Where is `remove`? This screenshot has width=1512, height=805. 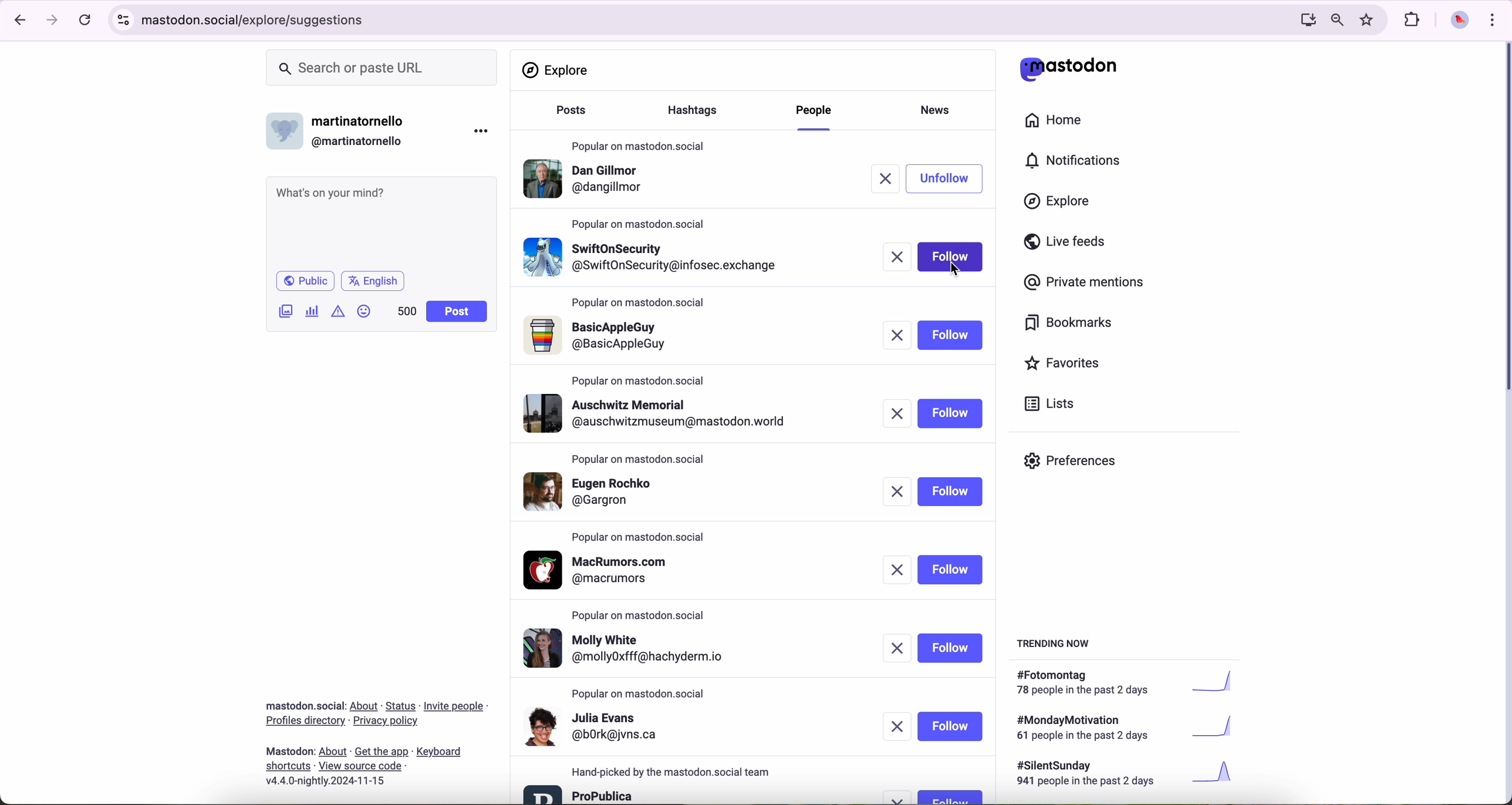 remove is located at coordinates (897, 256).